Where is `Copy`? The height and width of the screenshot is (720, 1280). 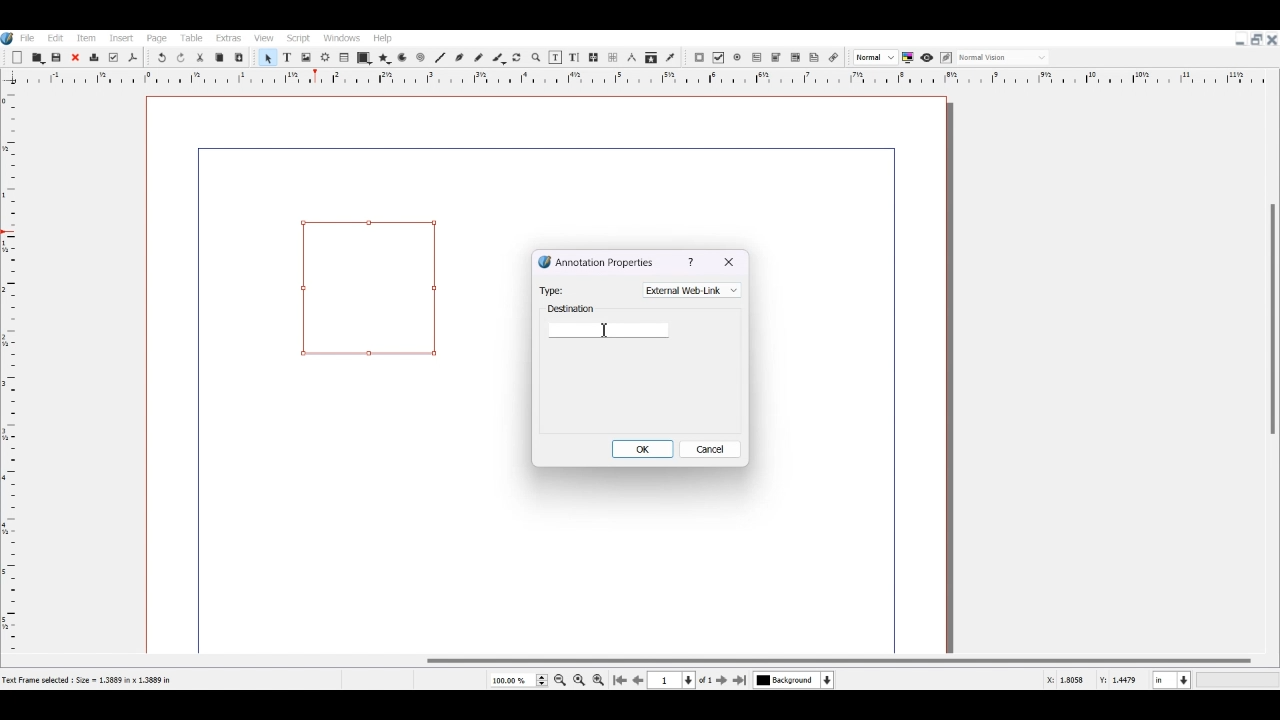
Copy is located at coordinates (218, 57).